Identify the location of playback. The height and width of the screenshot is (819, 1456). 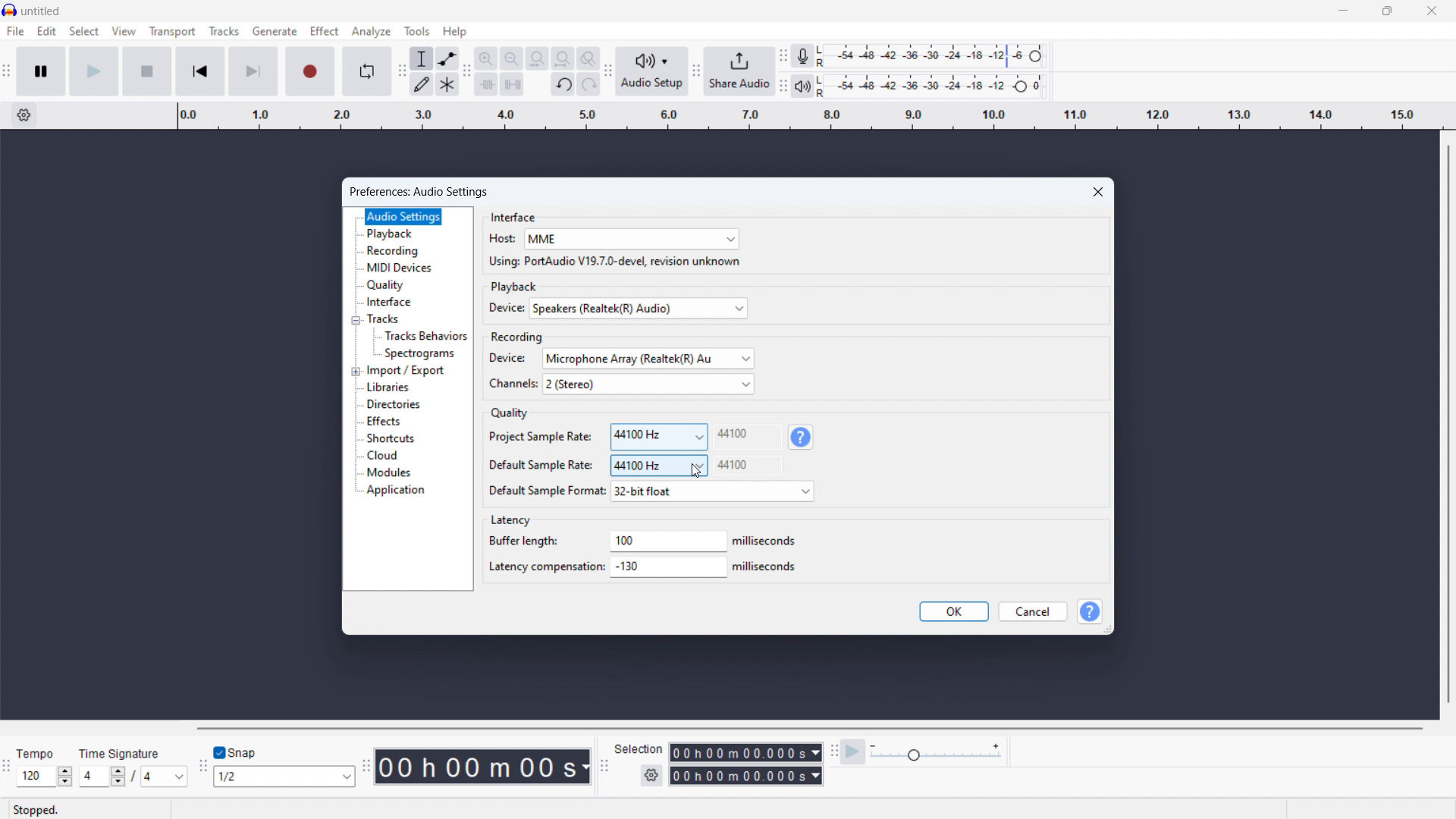
(516, 286).